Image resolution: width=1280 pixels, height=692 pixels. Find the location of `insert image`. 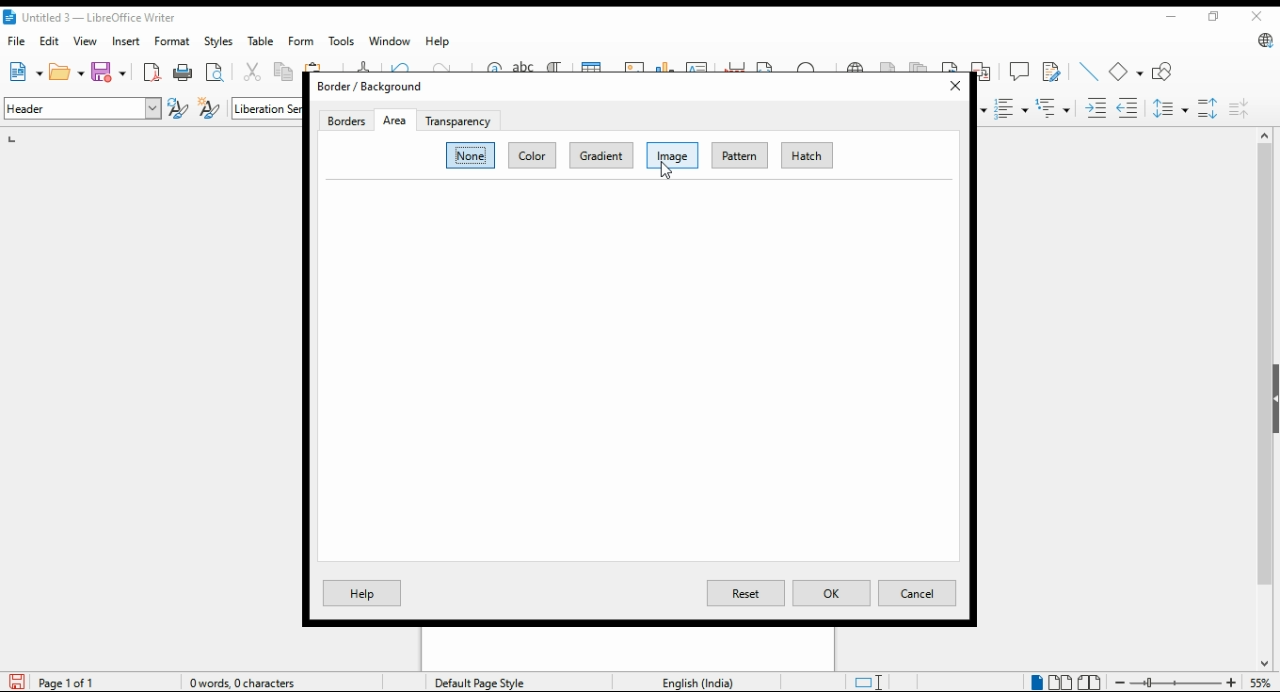

insert image is located at coordinates (635, 64).